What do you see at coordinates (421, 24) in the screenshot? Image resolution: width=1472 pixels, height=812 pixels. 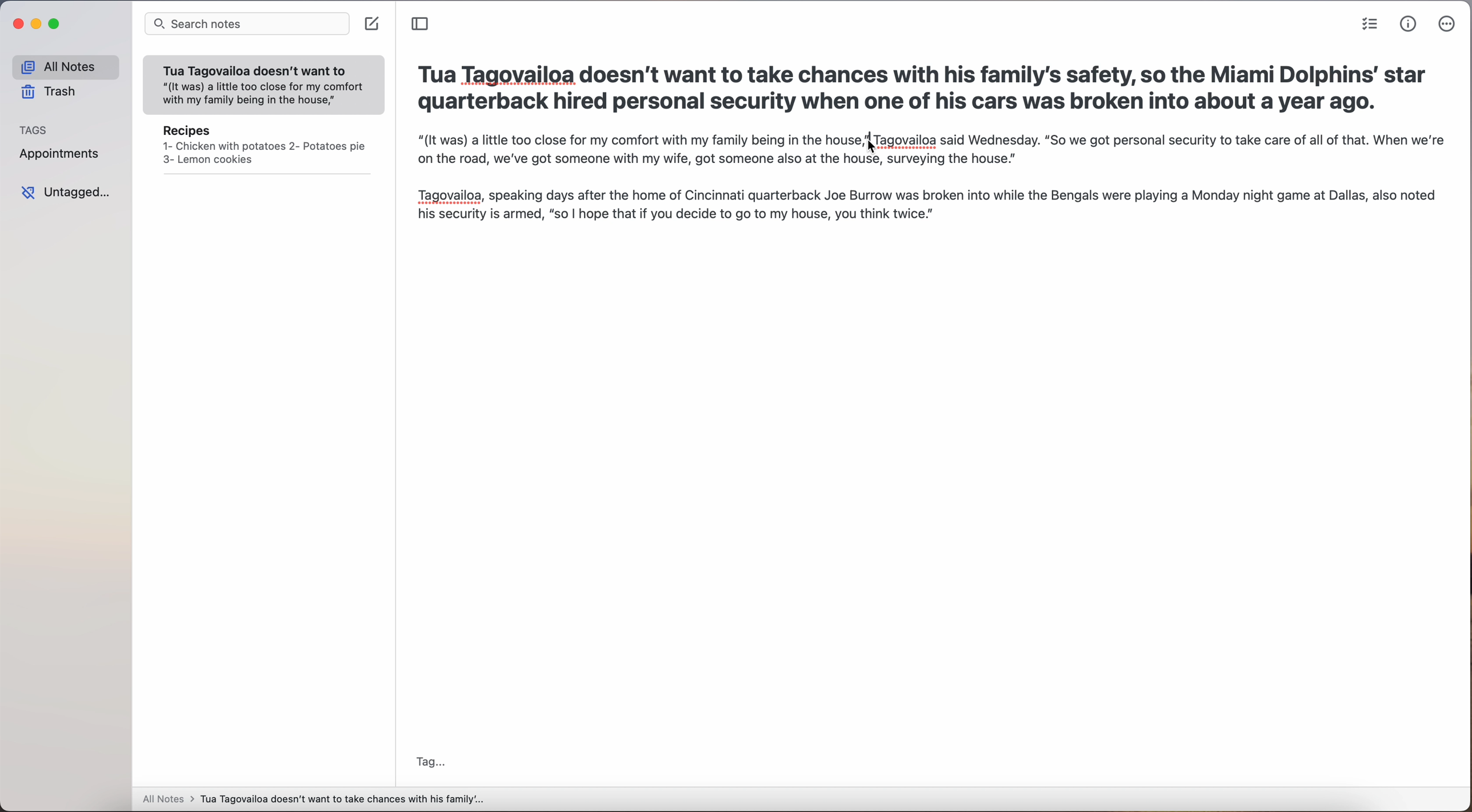 I see `toggle sidebar` at bounding box center [421, 24].